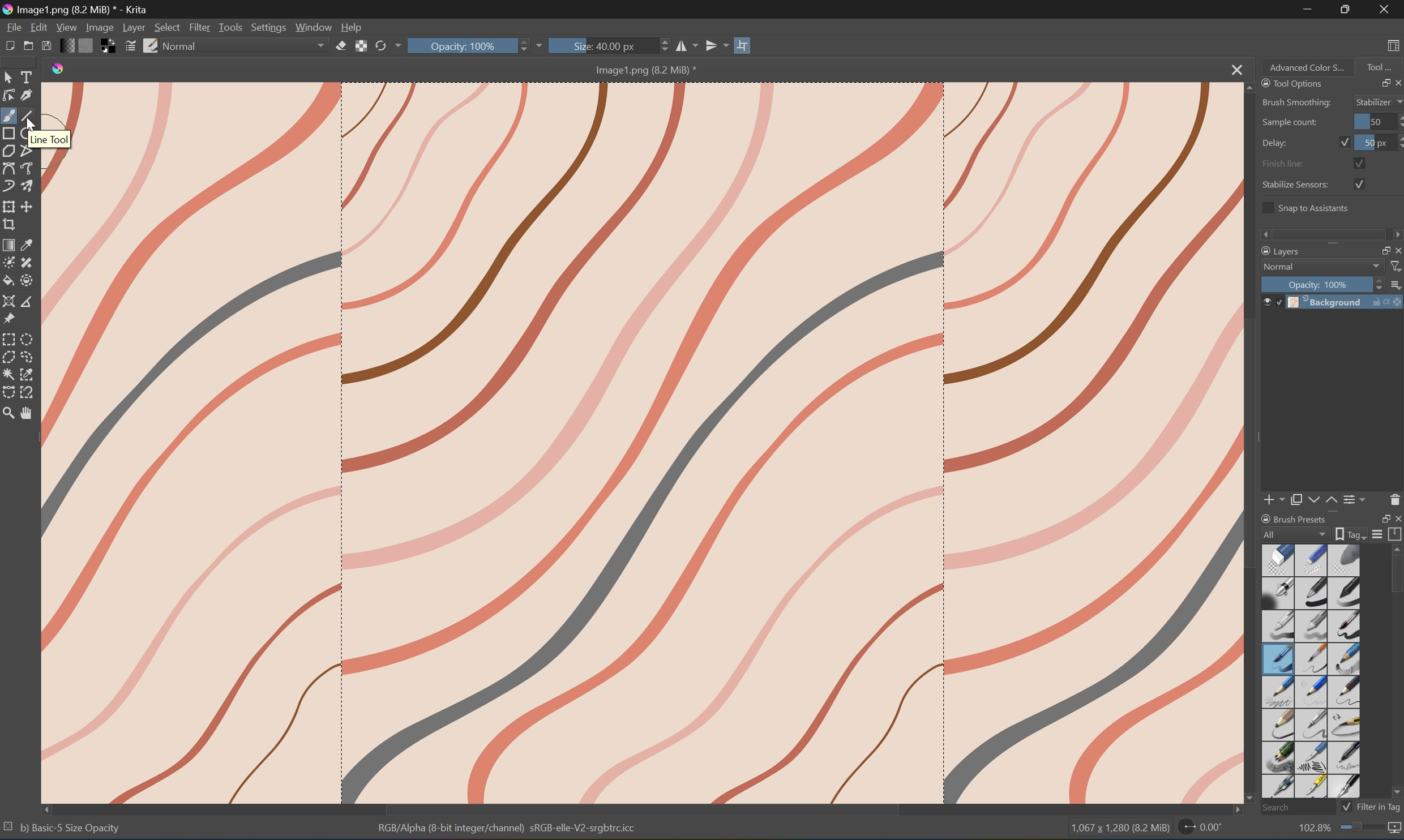  What do you see at coordinates (508, 830) in the screenshot?
I see `RGB Alpha (8-bit integer/channel) sRGB-elle-V2-srgbcicc` at bounding box center [508, 830].